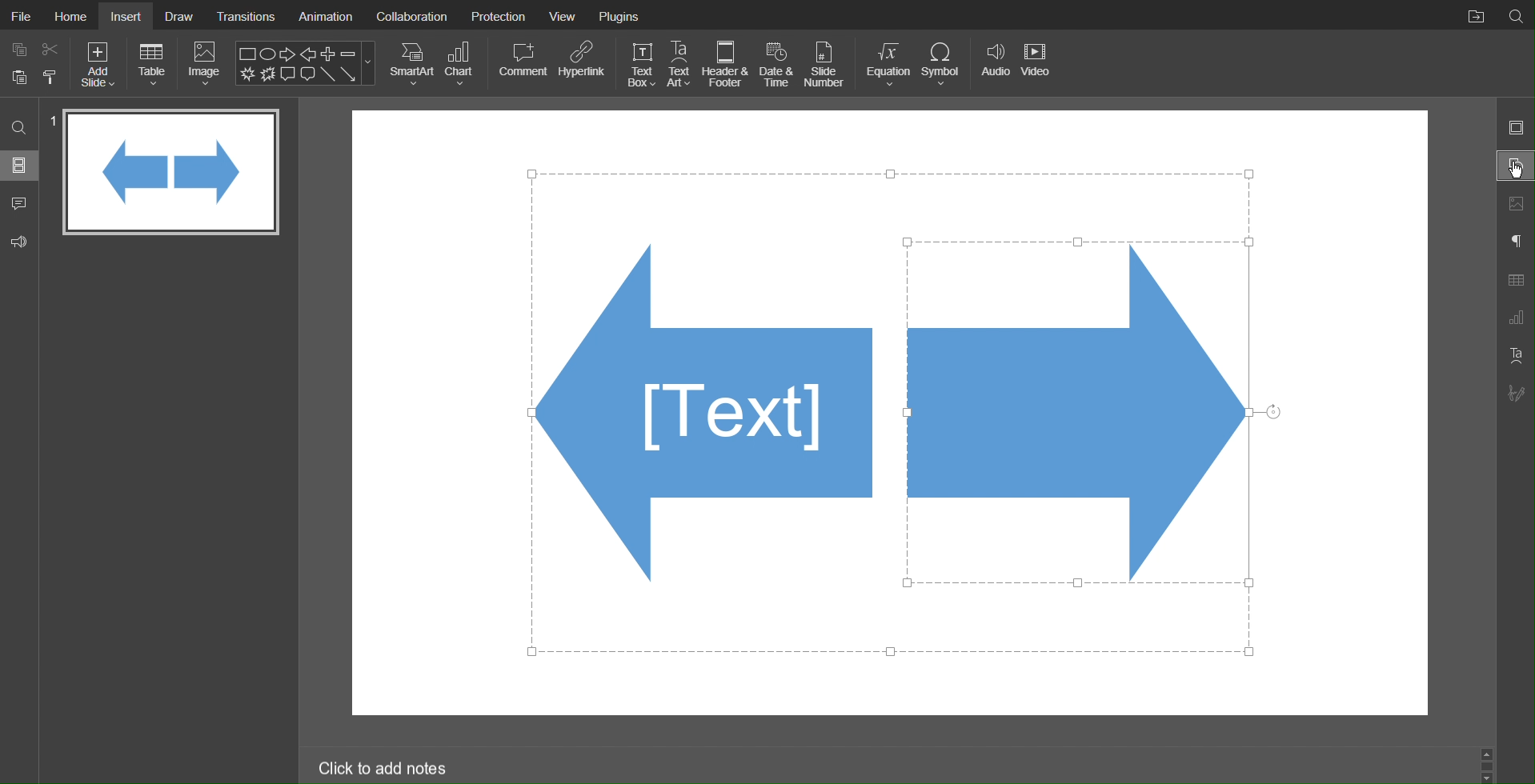 Image resolution: width=1535 pixels, height=784 pixels. What do you see at coordinates (566, 14) in the screenshot?
I see `View` at bounding box center [566, 14].